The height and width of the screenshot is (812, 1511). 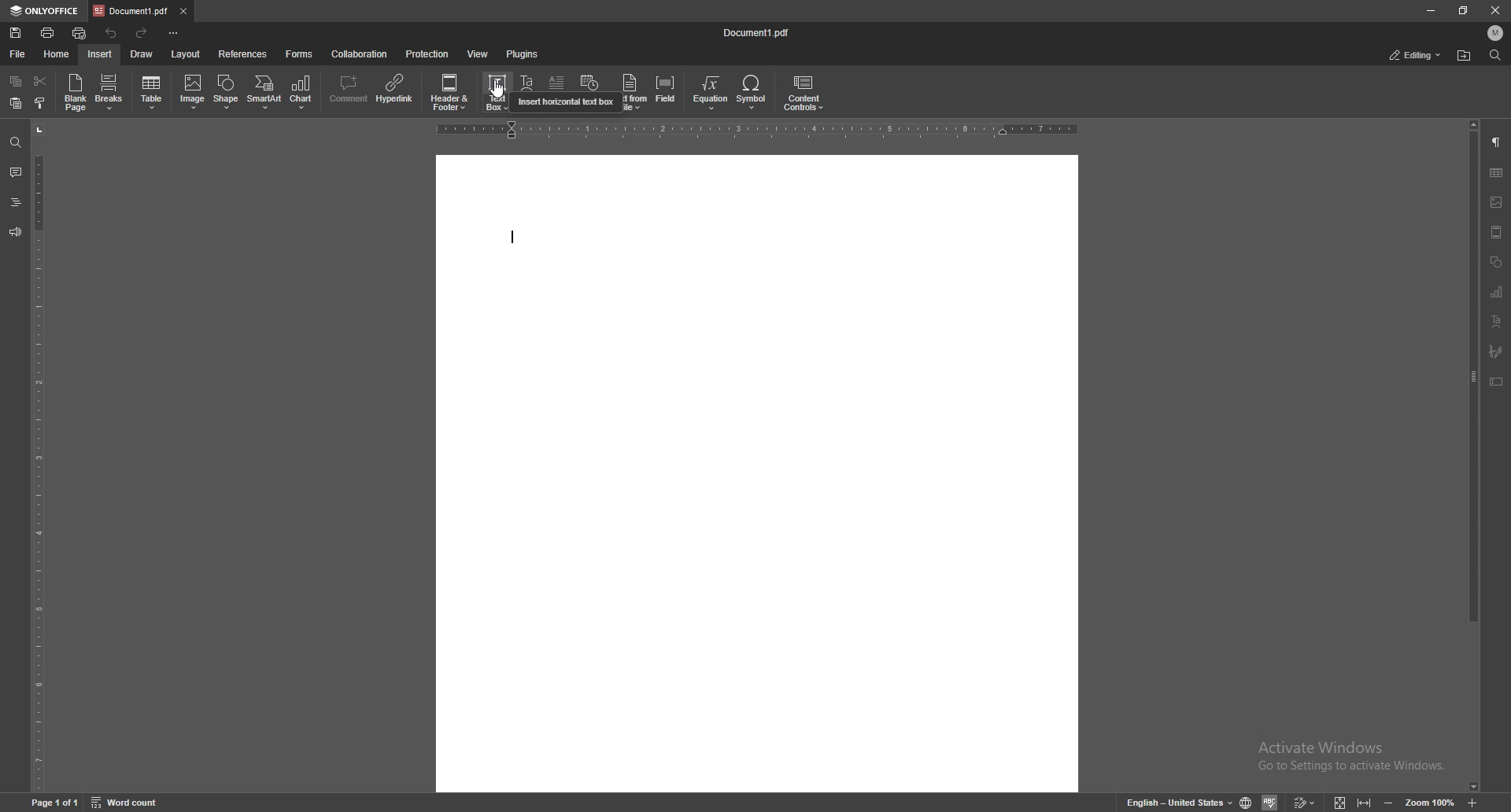 I want to click on comment, so click(x=347, y=90).